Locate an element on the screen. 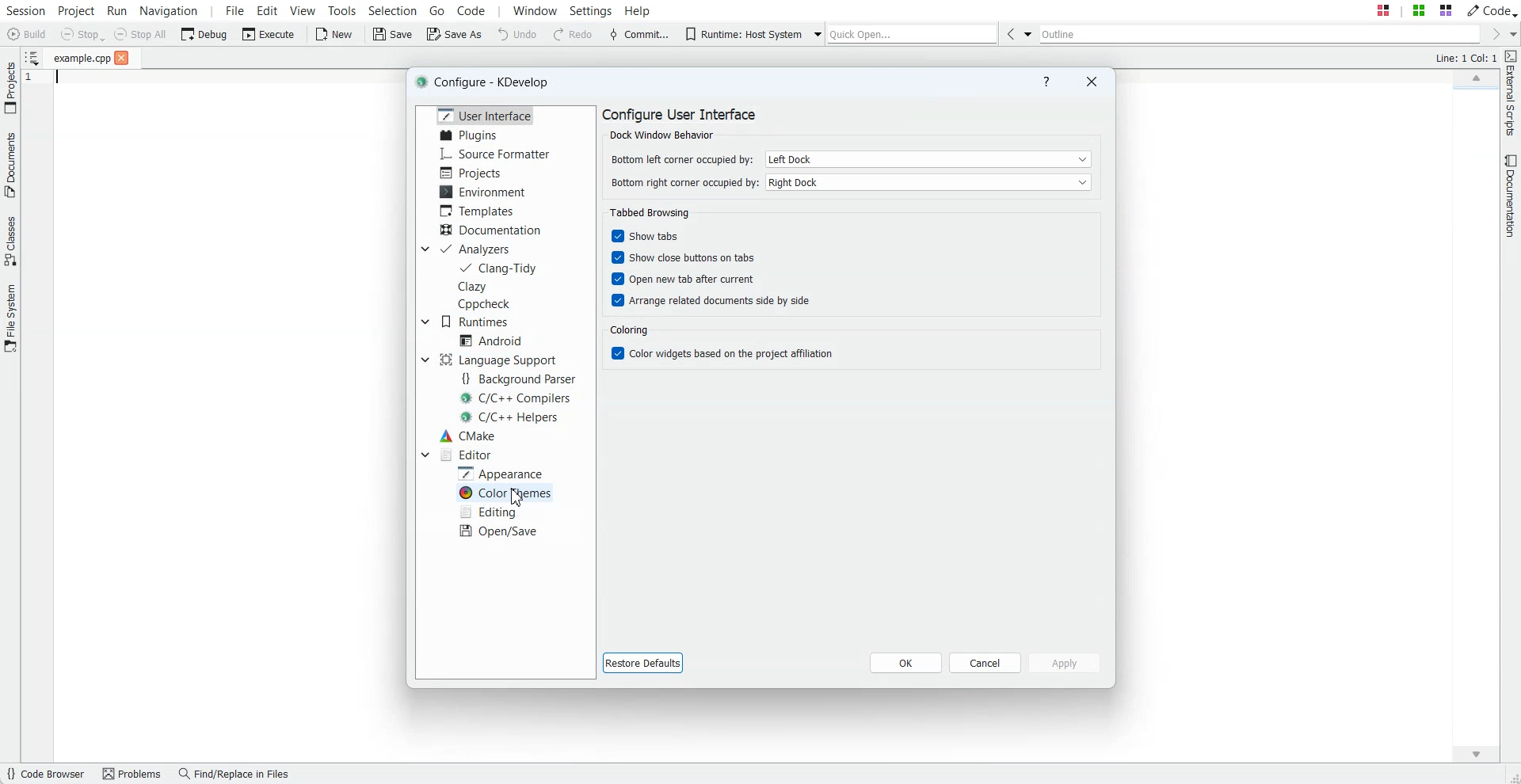  File System is located at coordinates (10, 318).